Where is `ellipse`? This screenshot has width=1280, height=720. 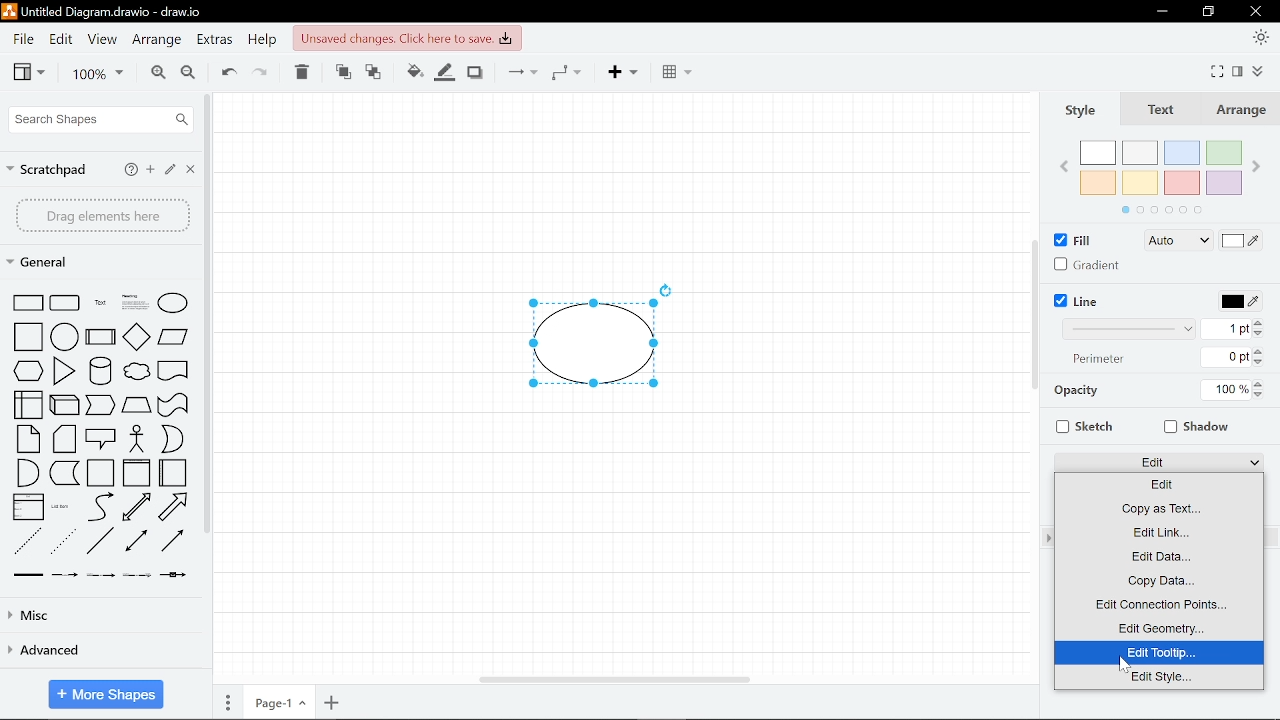
ellipse is located at coordinates (175, 303).